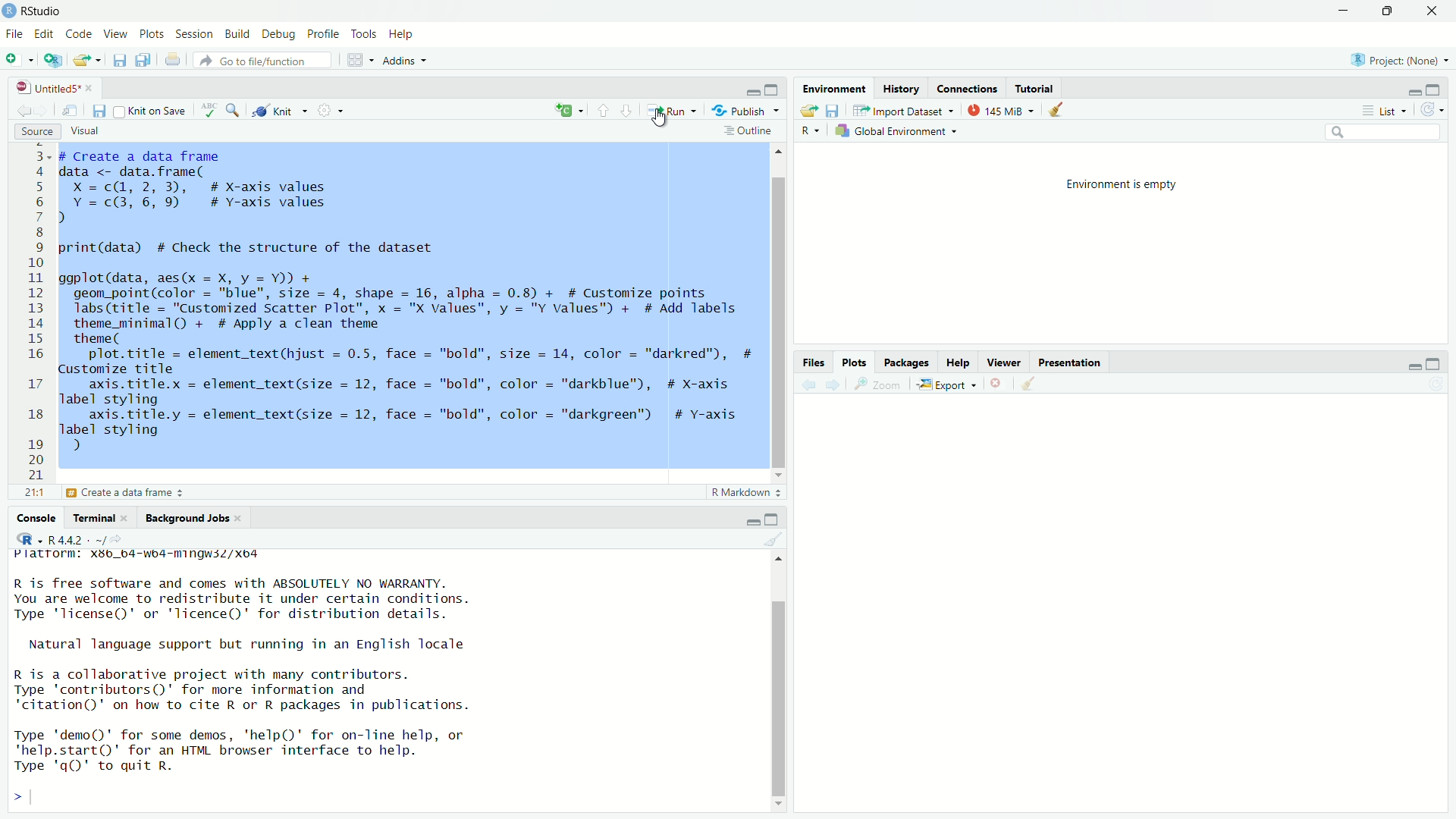 This screenshot has height=819, width=1456. What do you see at coordinates (17, 797) in the screenshot?
I see `> ` at bounding box center [17, 797].